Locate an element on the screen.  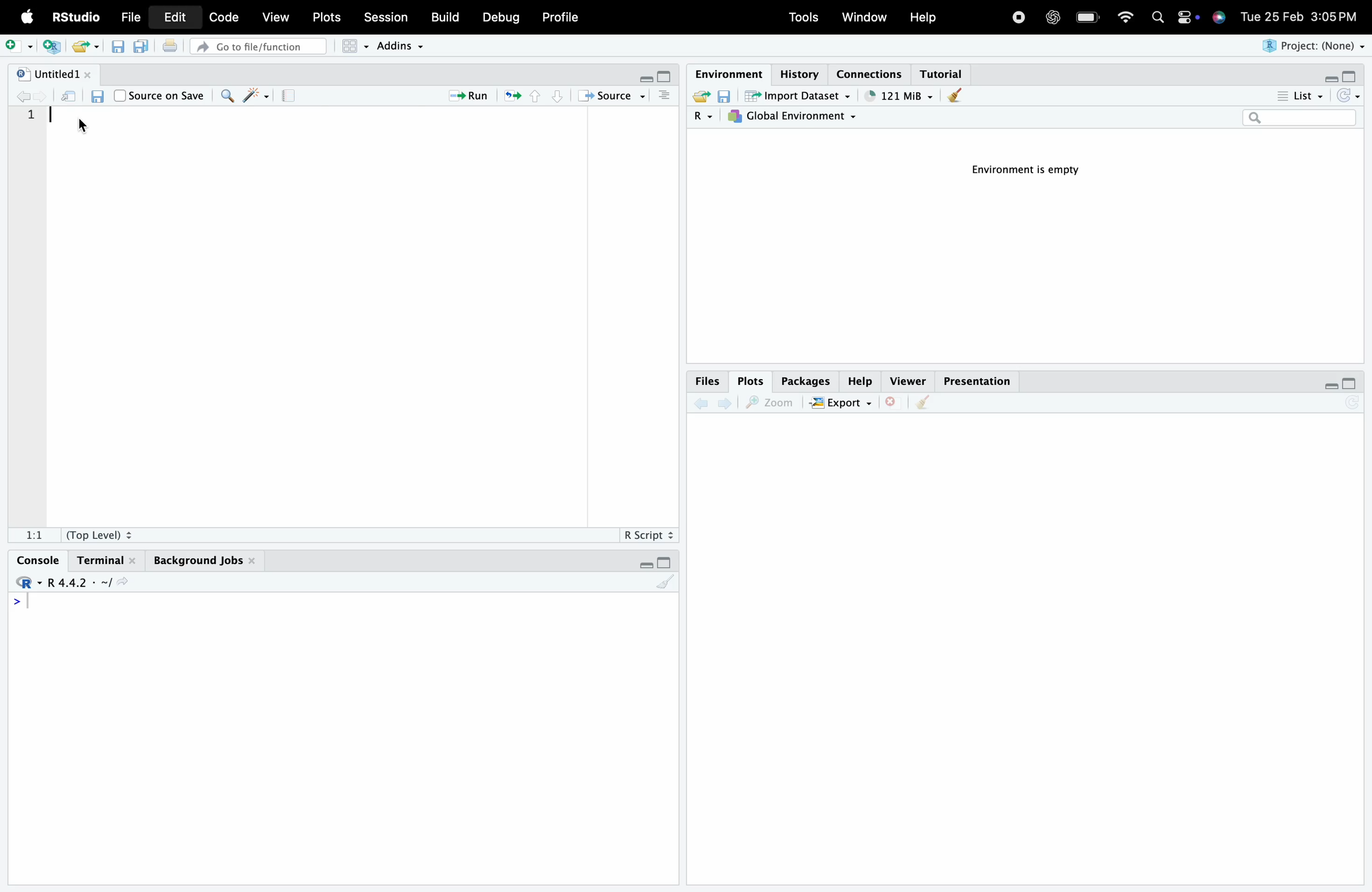
Plots is located at coordinates (752, 379).